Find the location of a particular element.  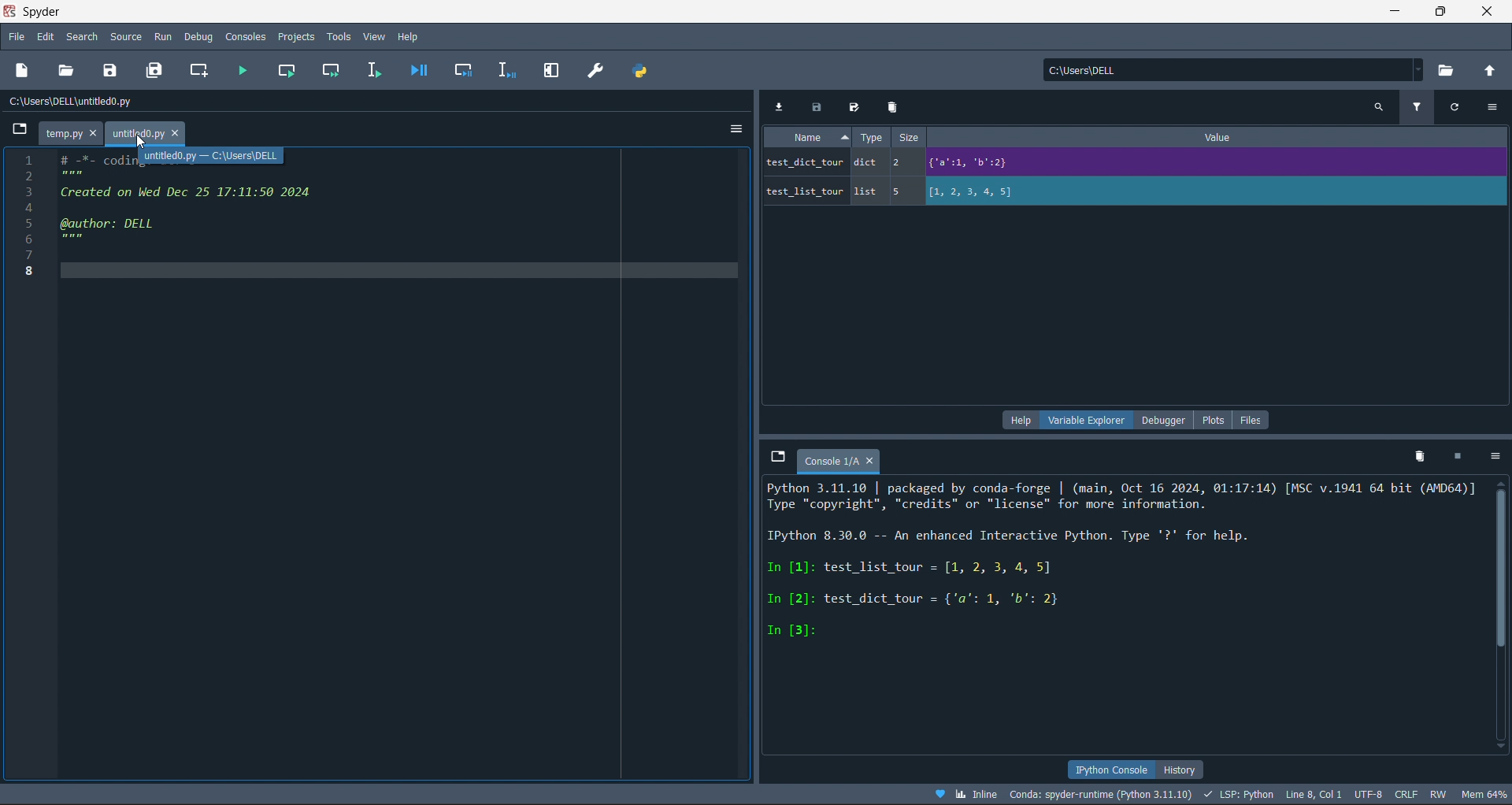

Console 1/A is located at coordinates (845, 461).